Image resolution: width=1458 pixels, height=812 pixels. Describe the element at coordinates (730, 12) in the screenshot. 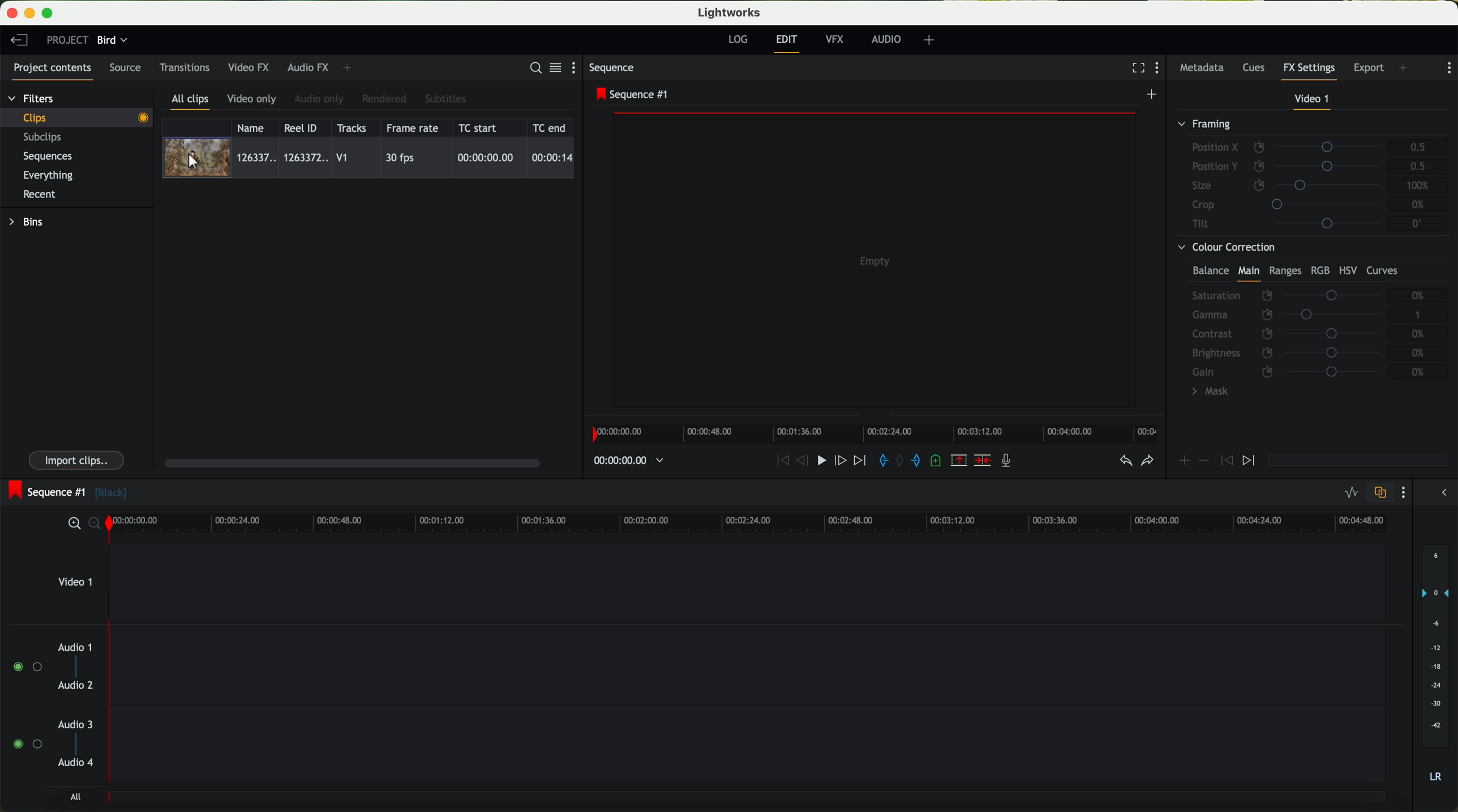

I see `Lightworks` at that location.